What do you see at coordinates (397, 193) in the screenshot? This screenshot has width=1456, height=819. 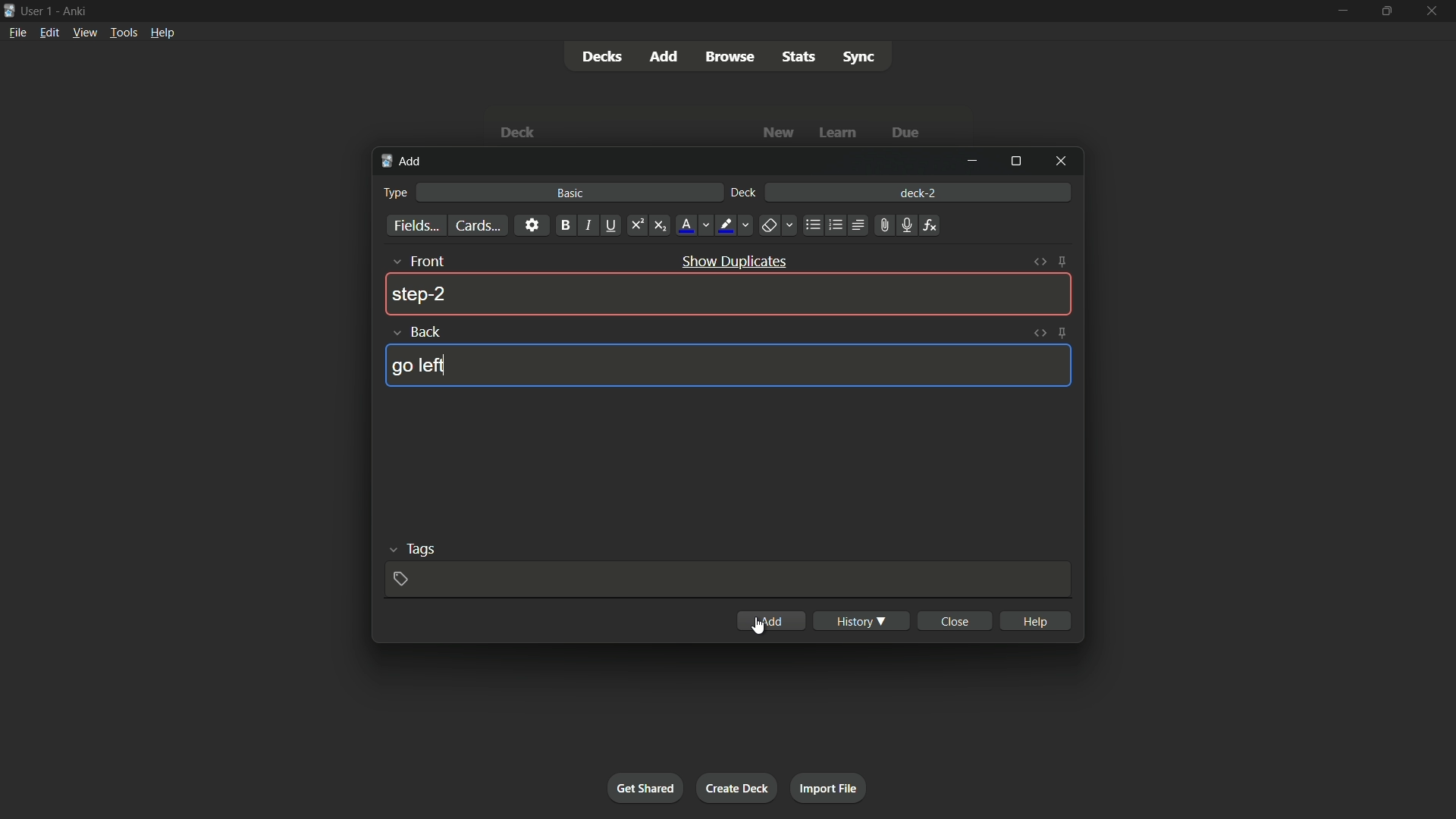 I see `type` at bounding box center [397, 193].